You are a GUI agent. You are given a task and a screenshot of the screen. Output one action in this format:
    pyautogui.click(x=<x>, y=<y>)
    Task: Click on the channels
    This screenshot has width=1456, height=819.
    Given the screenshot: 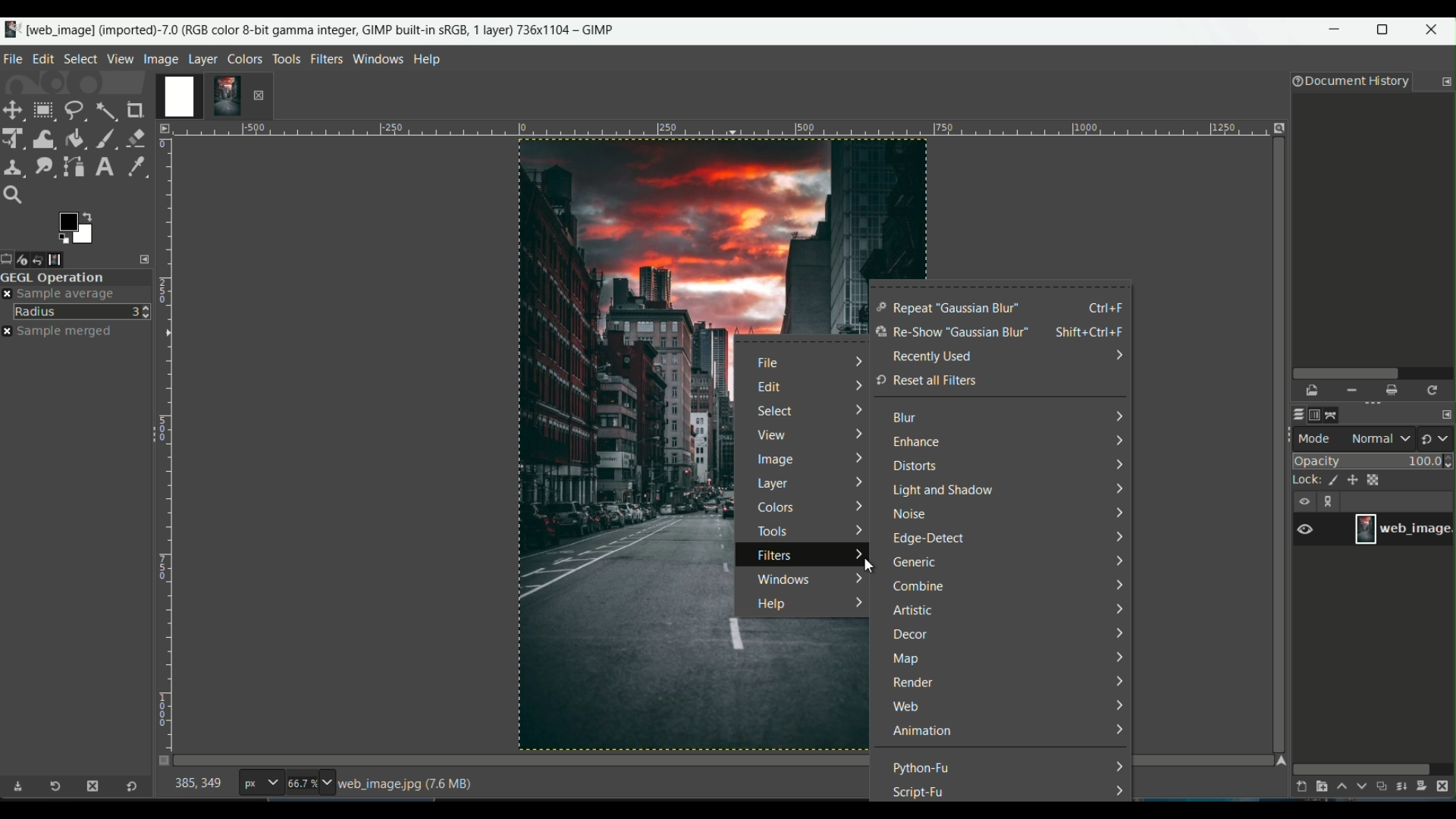 What is the action you would take?
    pyautogui.click(x=1316, y=415)
    